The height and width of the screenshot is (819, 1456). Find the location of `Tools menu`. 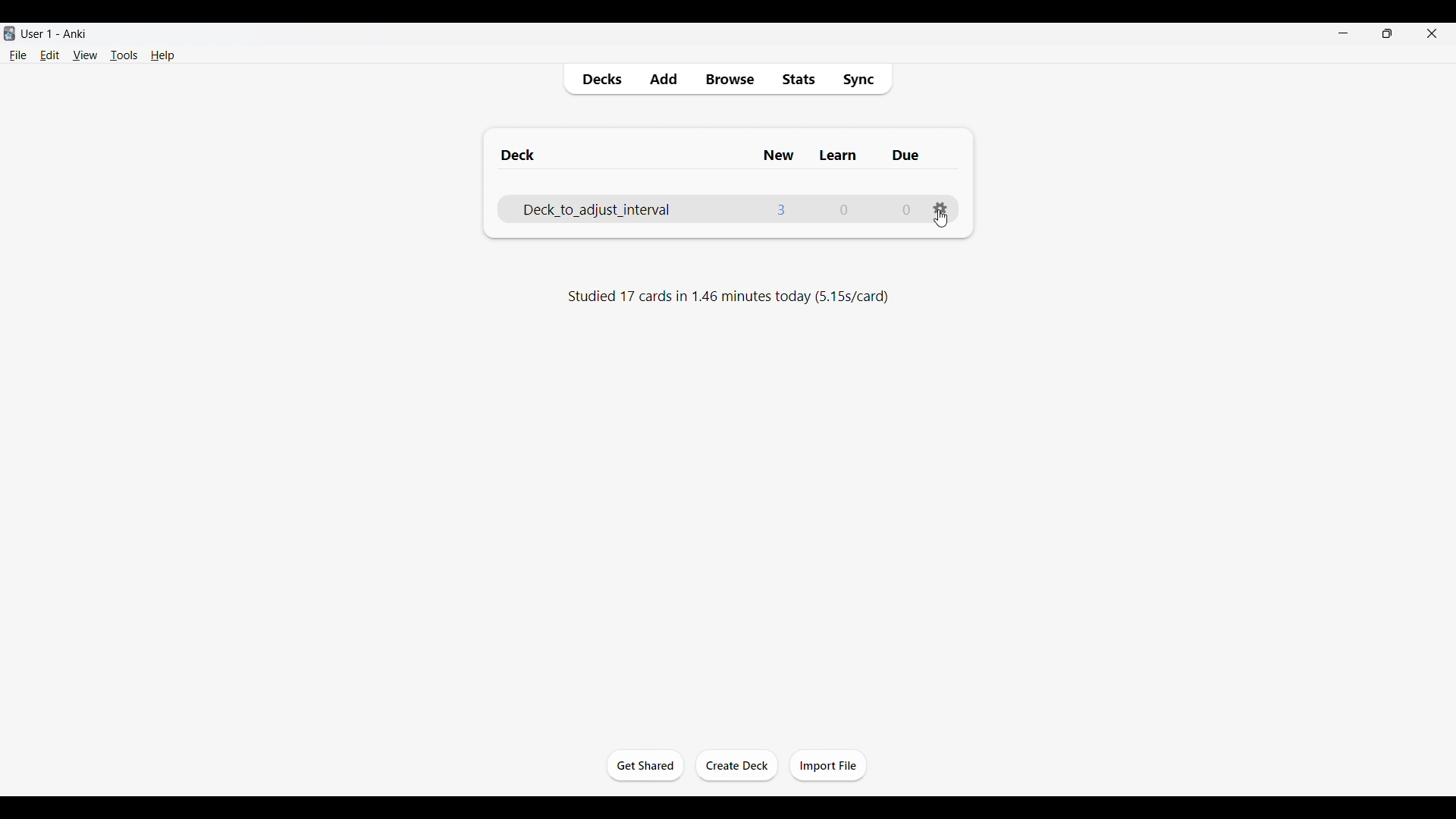

Tools menu is located at coordinates (124, 55).